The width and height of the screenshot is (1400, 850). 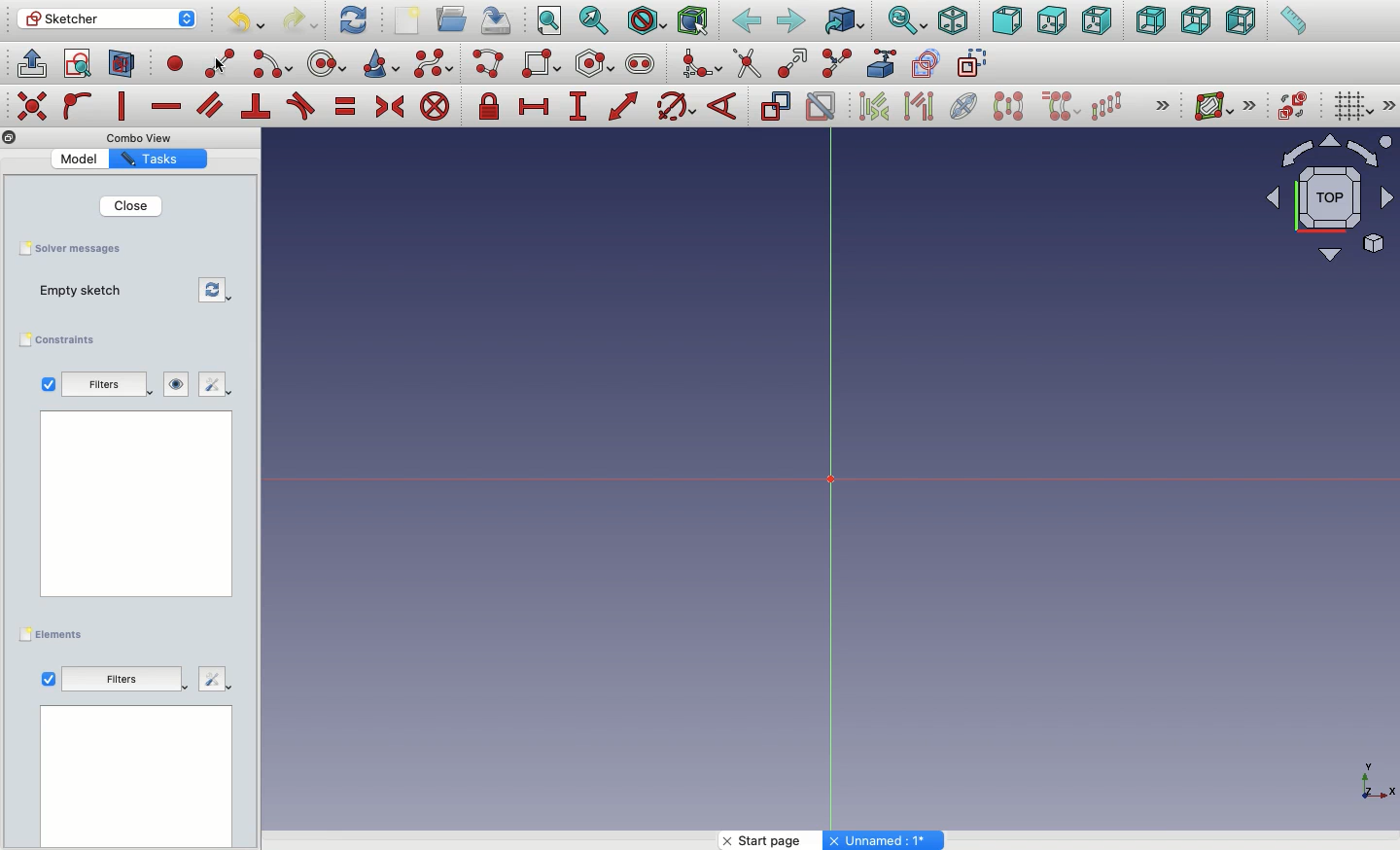 I want to click on Redo, so click(x=301, y=20).